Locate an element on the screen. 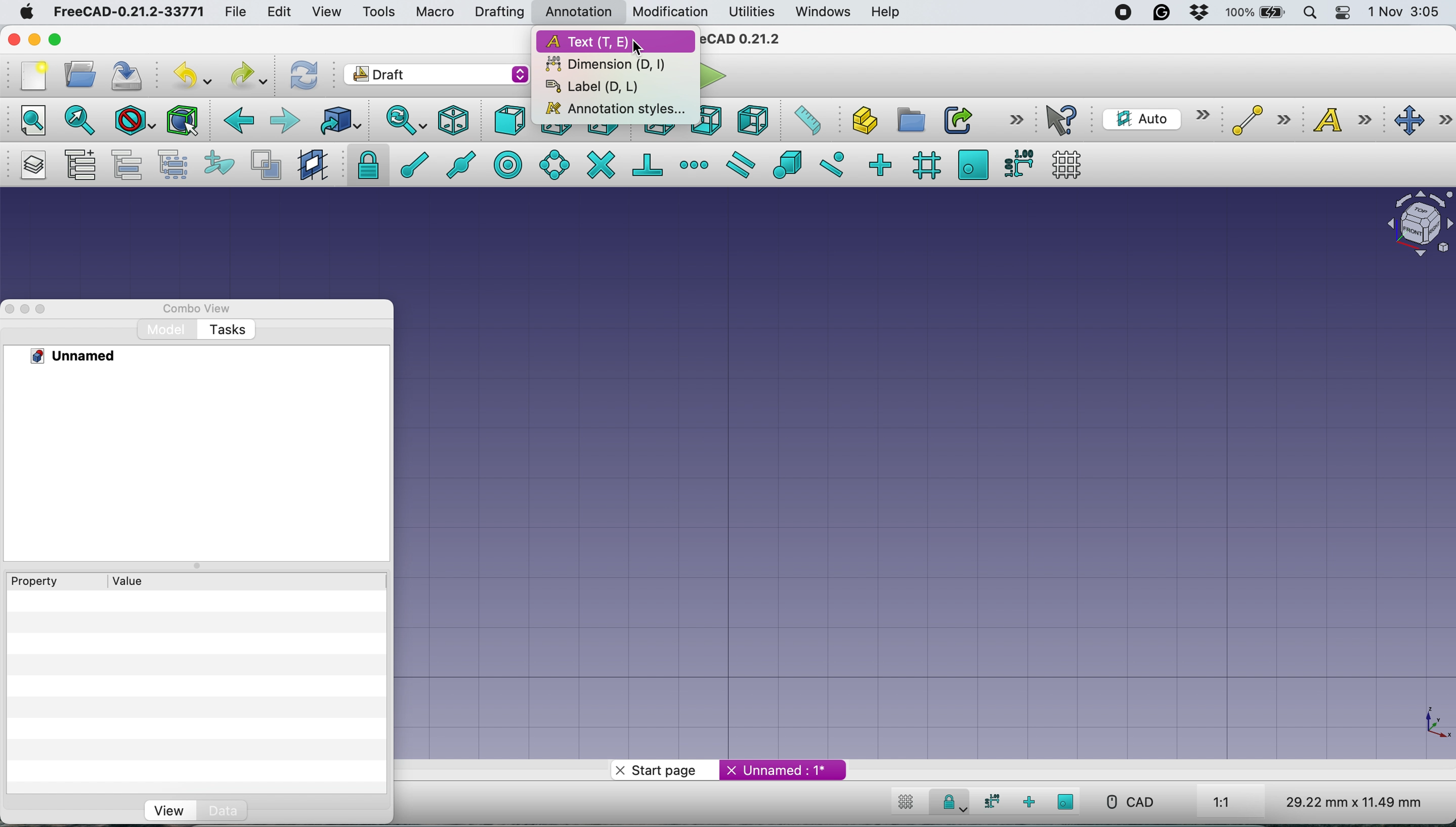 Image resolution: width=1456 pixels, height=827 pixels. maximise is located at coordinates (45, 307).